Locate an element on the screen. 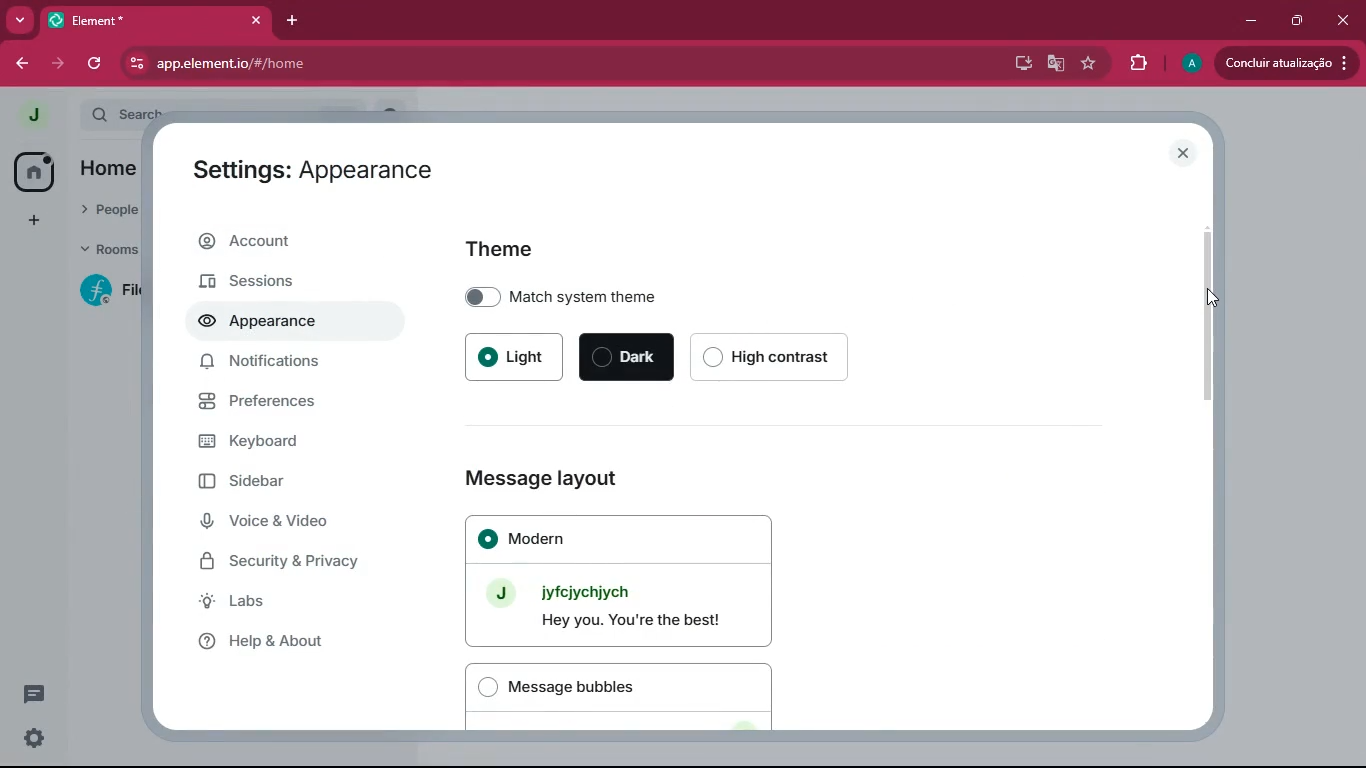 The image size is (1366, 768). preferences is located at coordinates (279, 408).